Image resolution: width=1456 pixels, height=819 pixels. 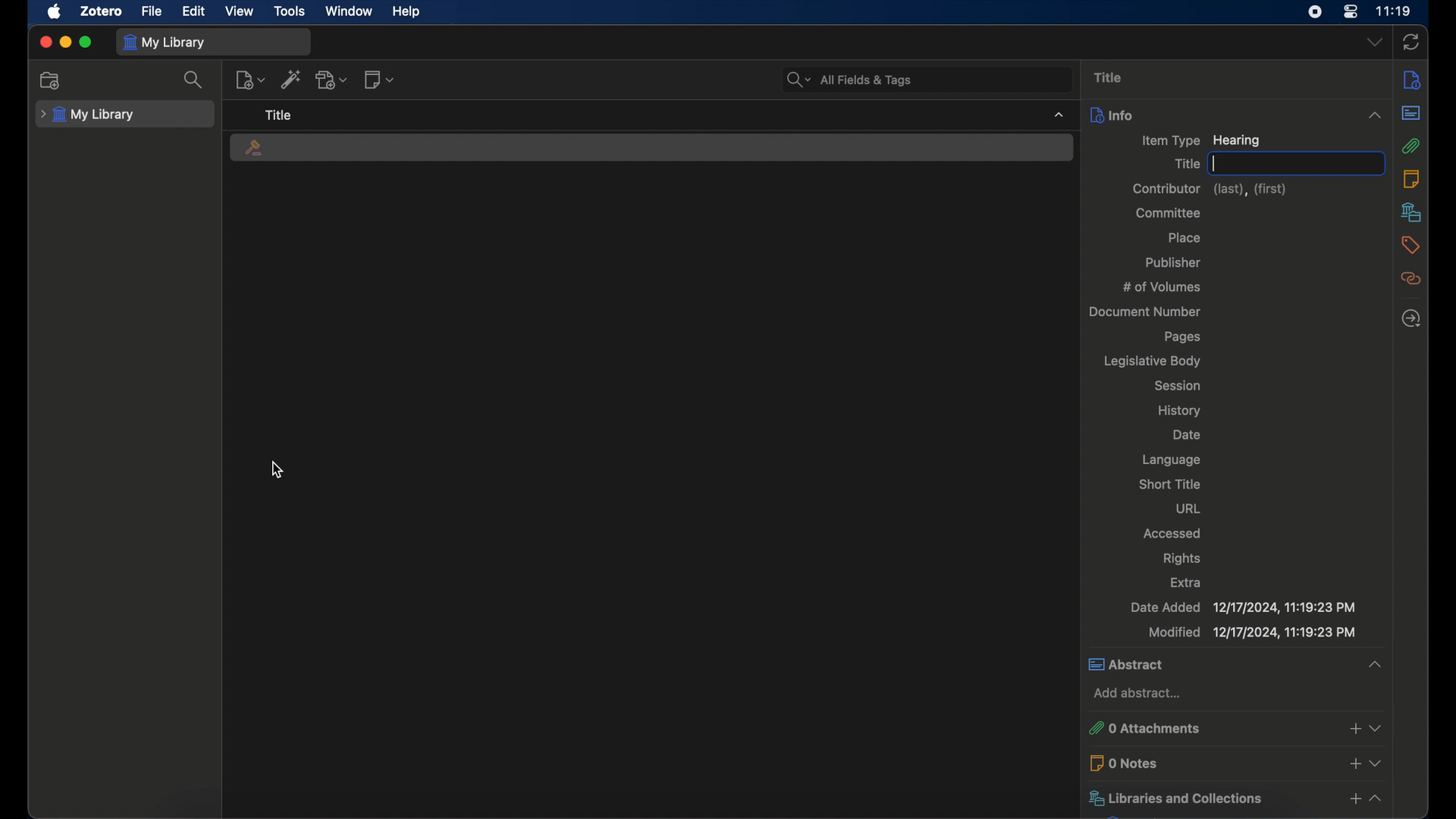 What do you see at coordinates (1409, 245) in the screenshot?
I see `tags` at bounding box center [1409, 245].